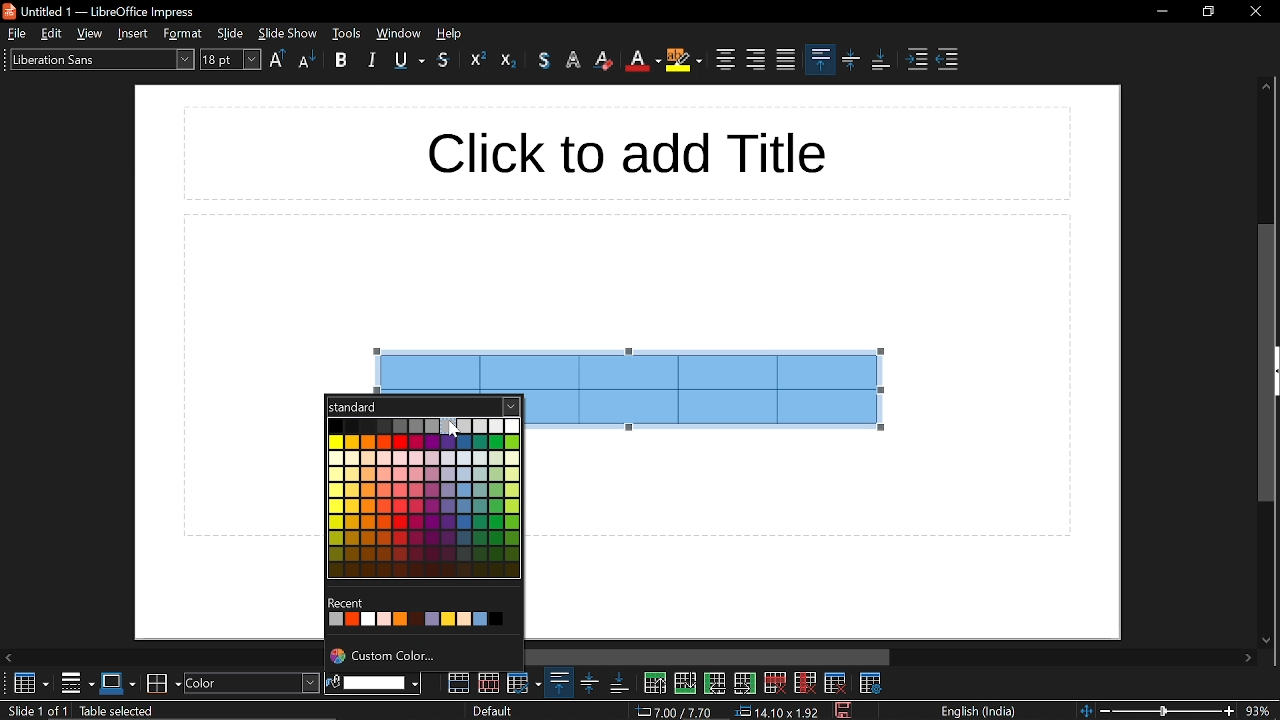  Describe the element at coordinates (102, 11) in the screenshot. I see `current window` at that location.